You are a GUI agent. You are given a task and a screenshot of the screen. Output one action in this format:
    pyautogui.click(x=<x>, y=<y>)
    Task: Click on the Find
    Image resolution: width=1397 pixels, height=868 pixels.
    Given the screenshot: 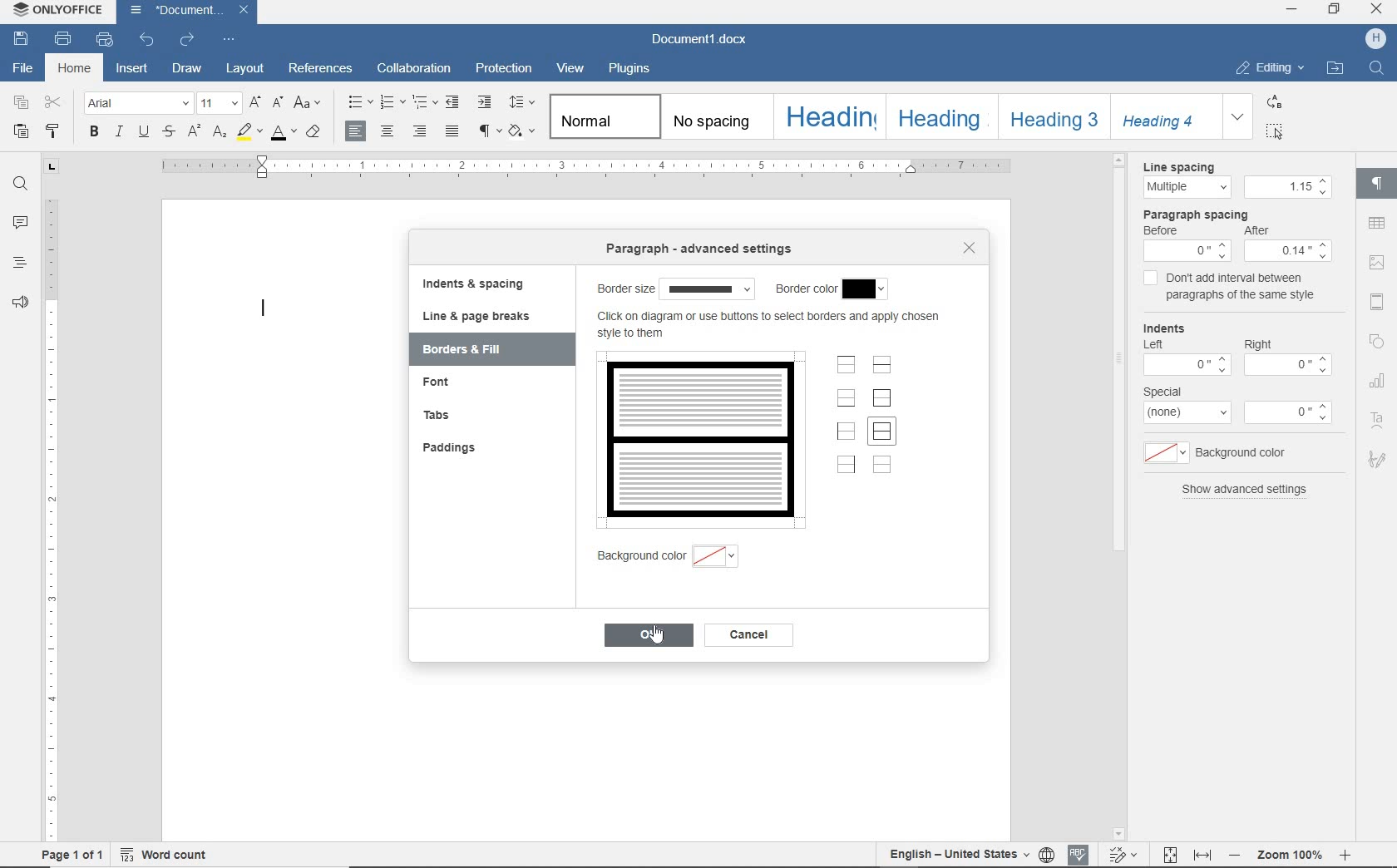 What is the action you would take?
    pyautogui.click(x=1380, y=72)
    